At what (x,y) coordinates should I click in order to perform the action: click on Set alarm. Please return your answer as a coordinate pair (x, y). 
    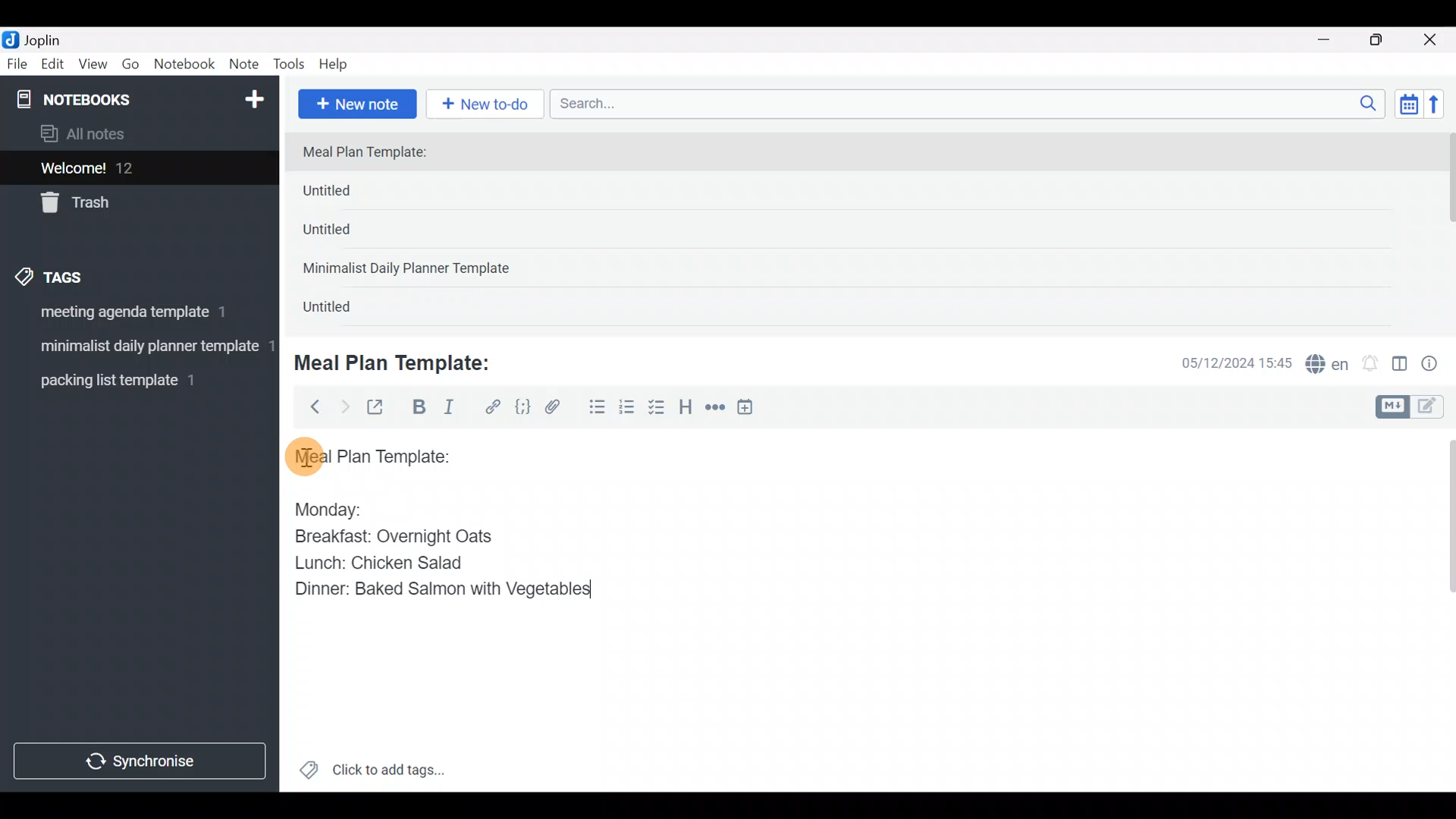
    Looking at the image, I should click on (1371, 365).